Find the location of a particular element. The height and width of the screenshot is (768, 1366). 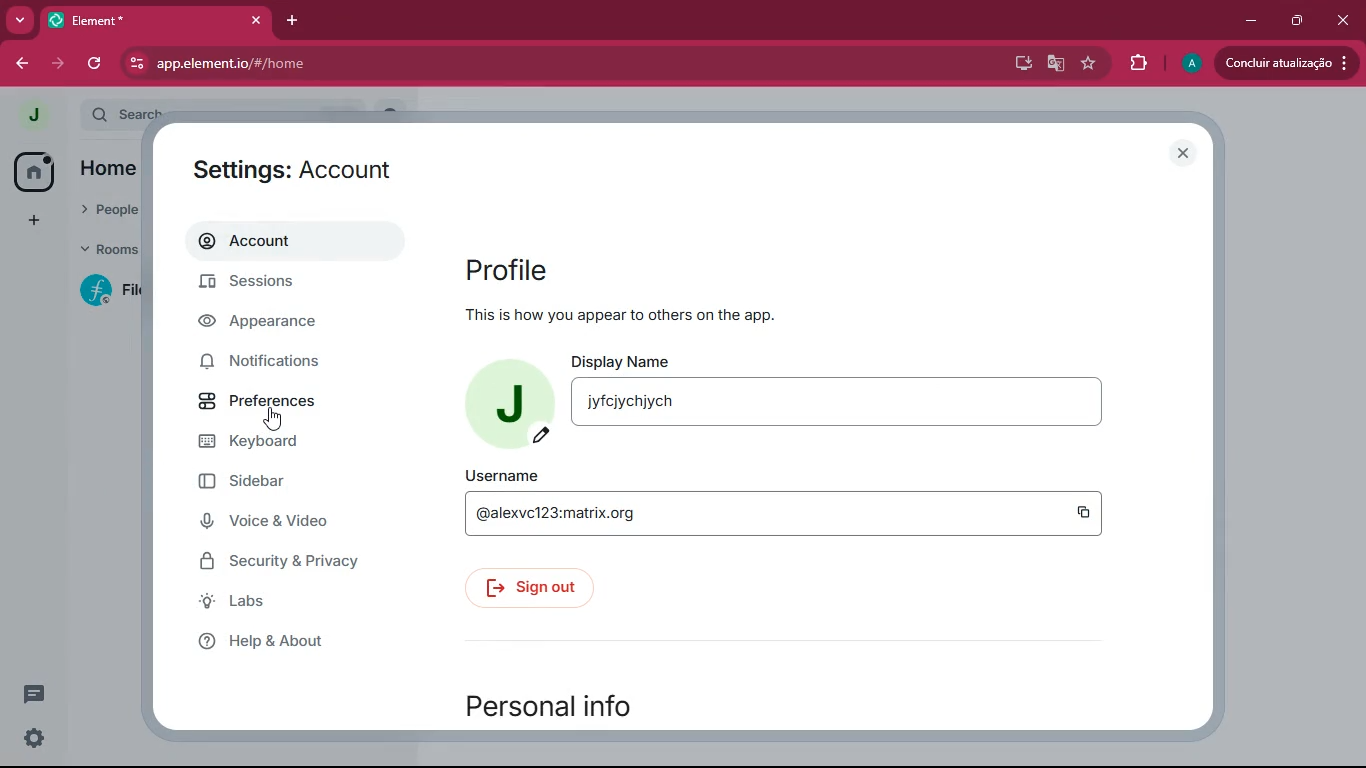

settings: account is located at coordinates (302, 166).